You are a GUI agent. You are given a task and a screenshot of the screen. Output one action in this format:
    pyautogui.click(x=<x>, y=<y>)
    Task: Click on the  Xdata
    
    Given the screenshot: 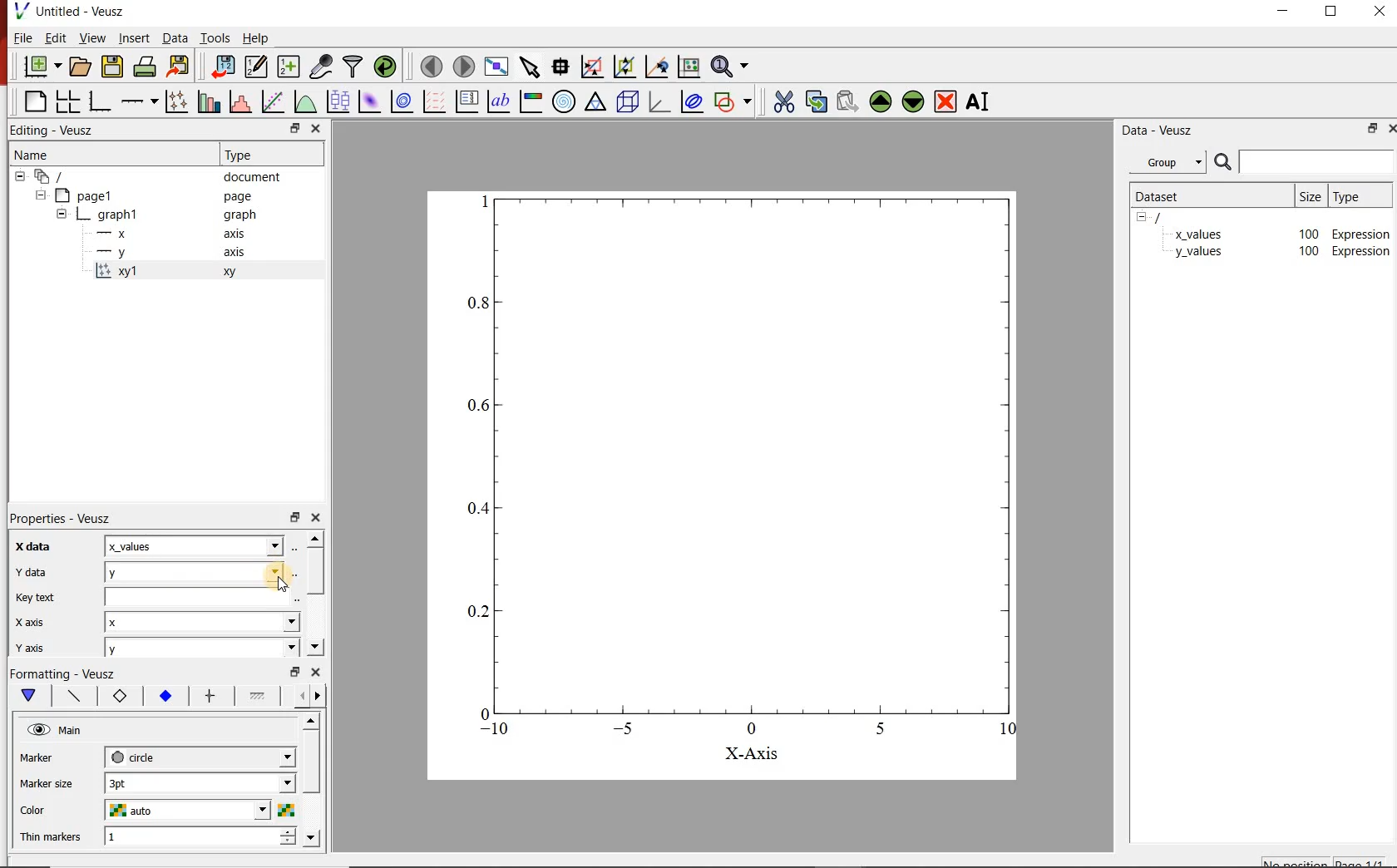 What is the action you would take?
    pyautogui.click(x=37, y=549)
    